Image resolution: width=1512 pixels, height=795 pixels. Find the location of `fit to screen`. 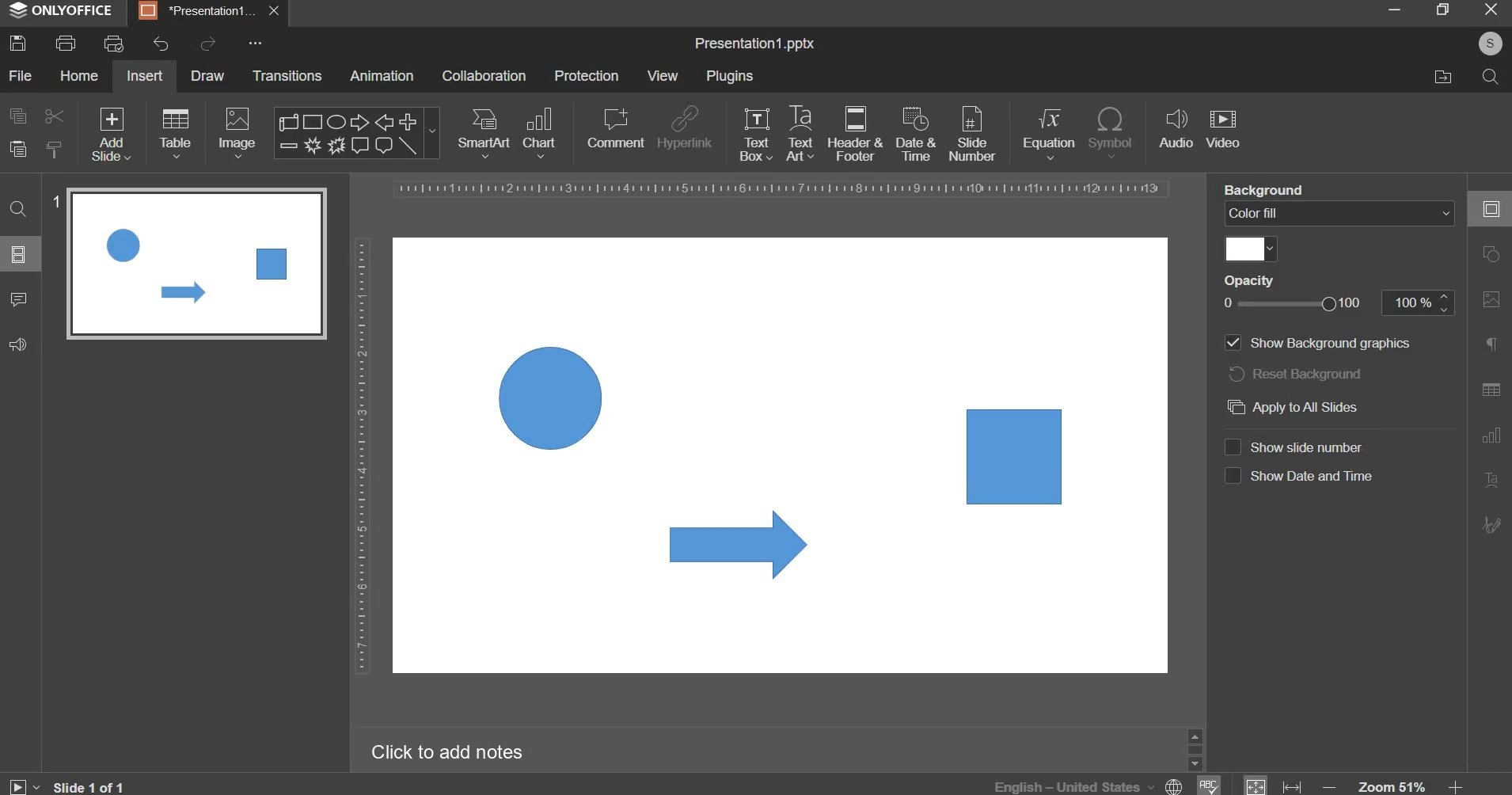

fit to screen is located at coordinates (1255, 782).